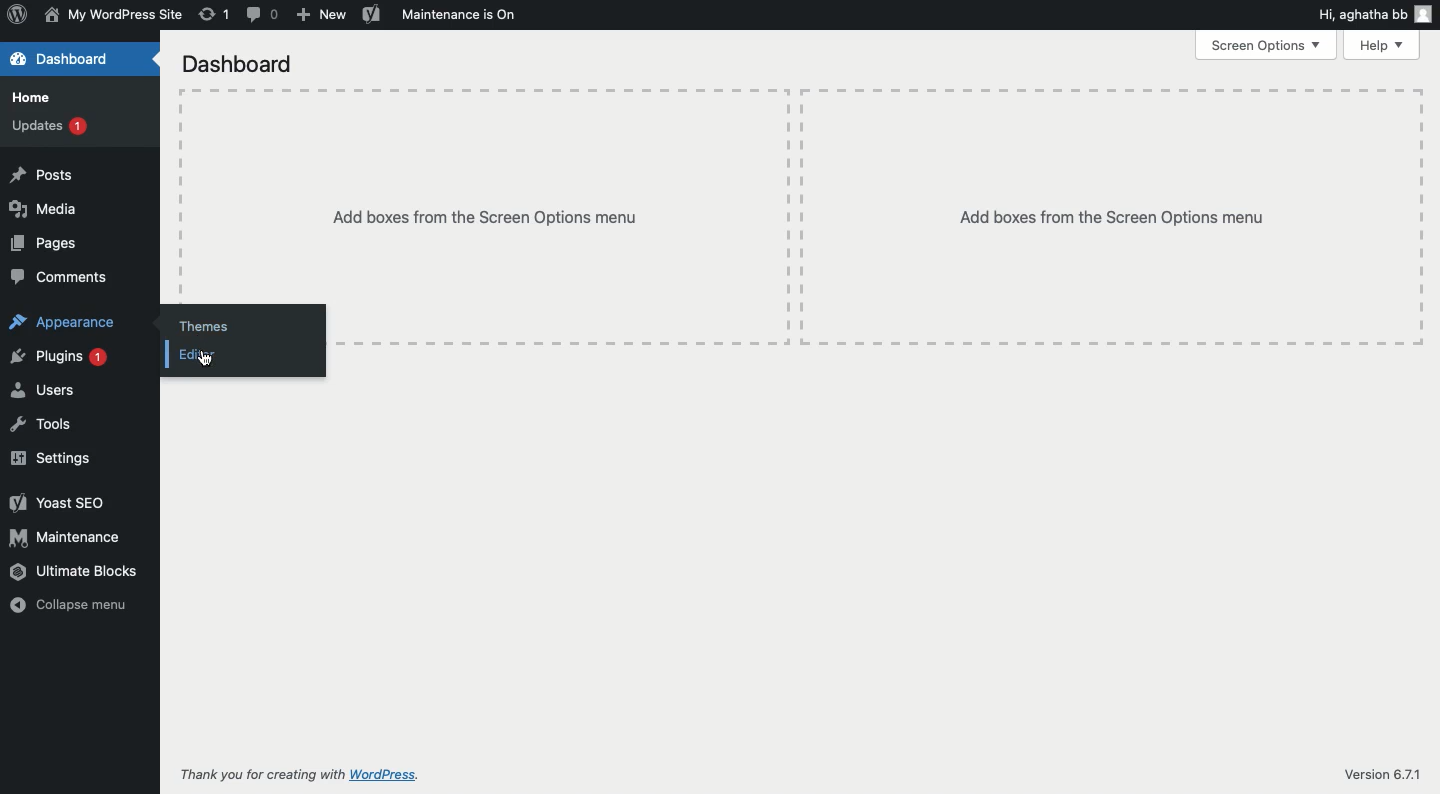  What do you see at coordinates (239, 66) in the screenshot?
I see `Dashboard` at bounding box center [239, 66].